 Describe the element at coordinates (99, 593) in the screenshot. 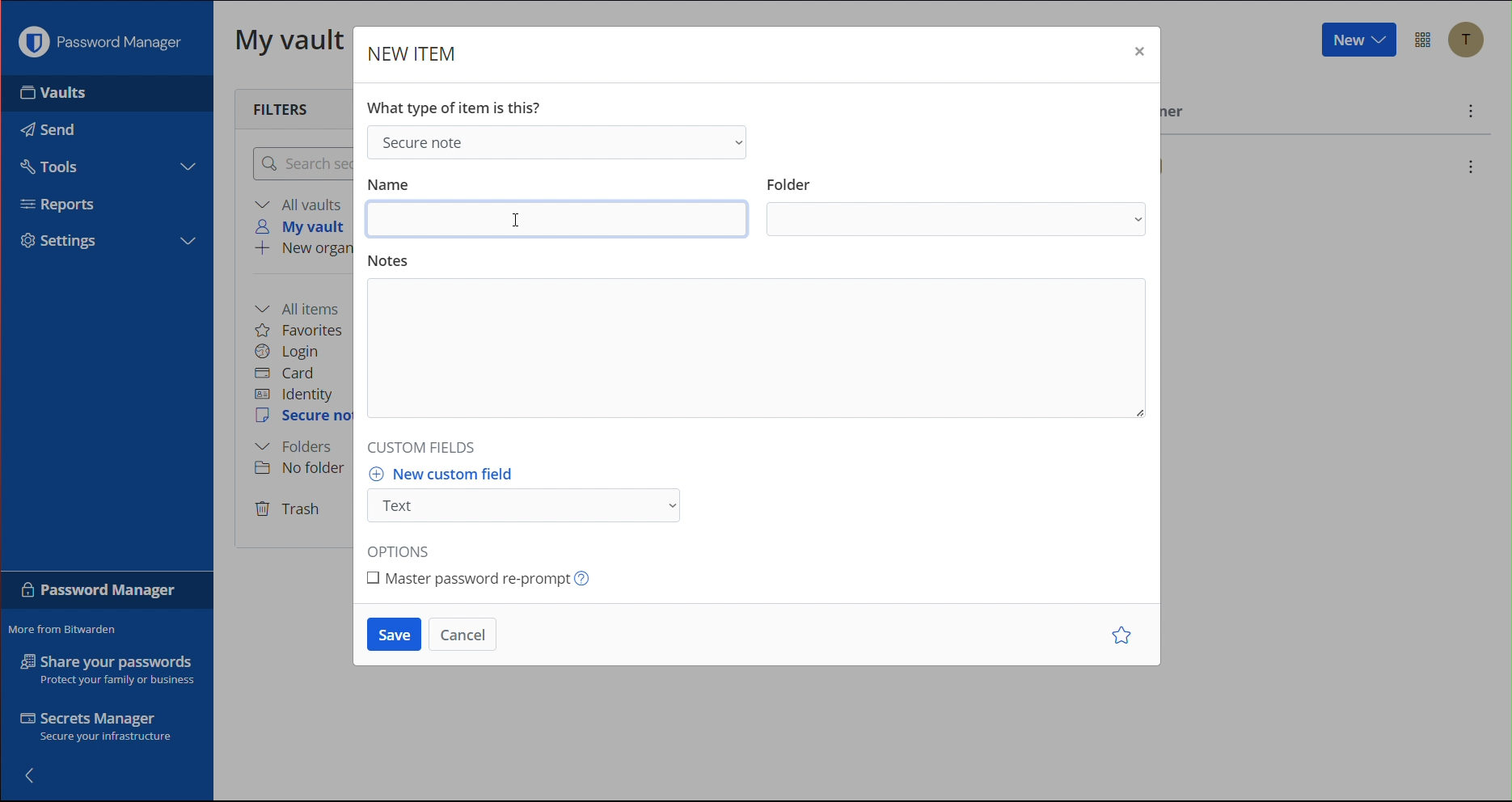

I see `Password` at that location.